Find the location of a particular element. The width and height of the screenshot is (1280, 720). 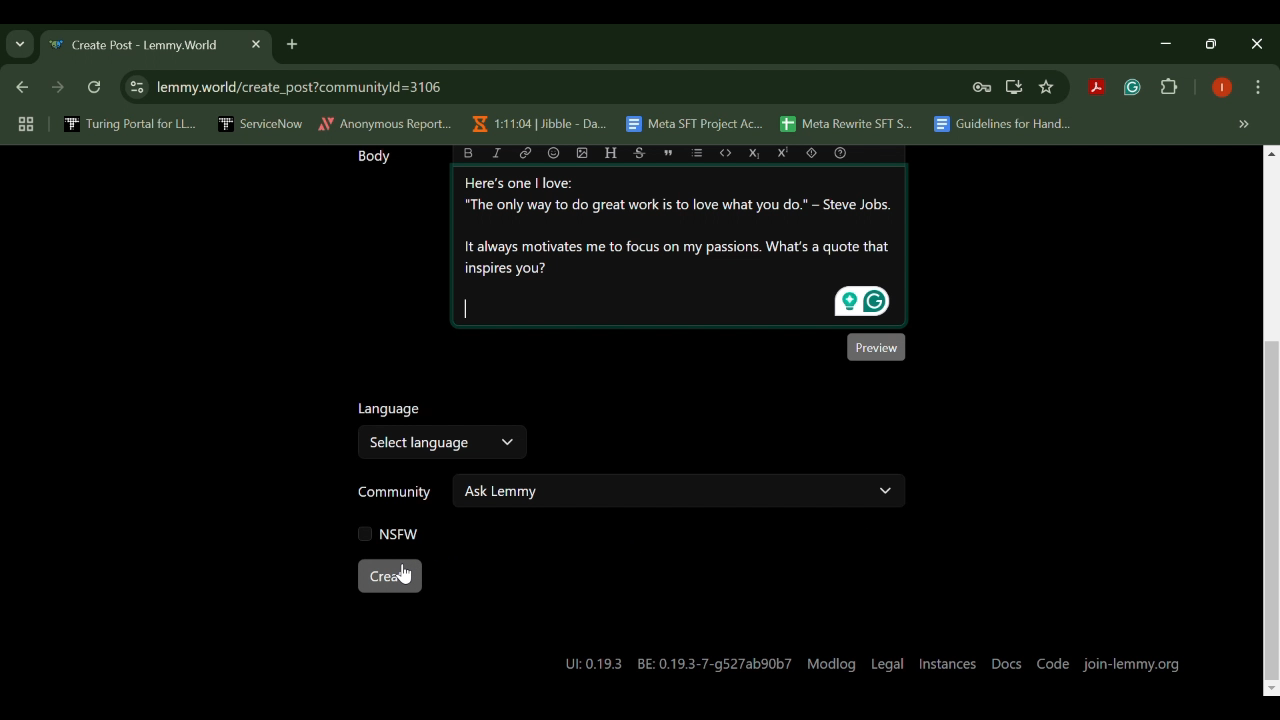

1:11:04 | Jibble - Da... is located at coordinates (538, 124).